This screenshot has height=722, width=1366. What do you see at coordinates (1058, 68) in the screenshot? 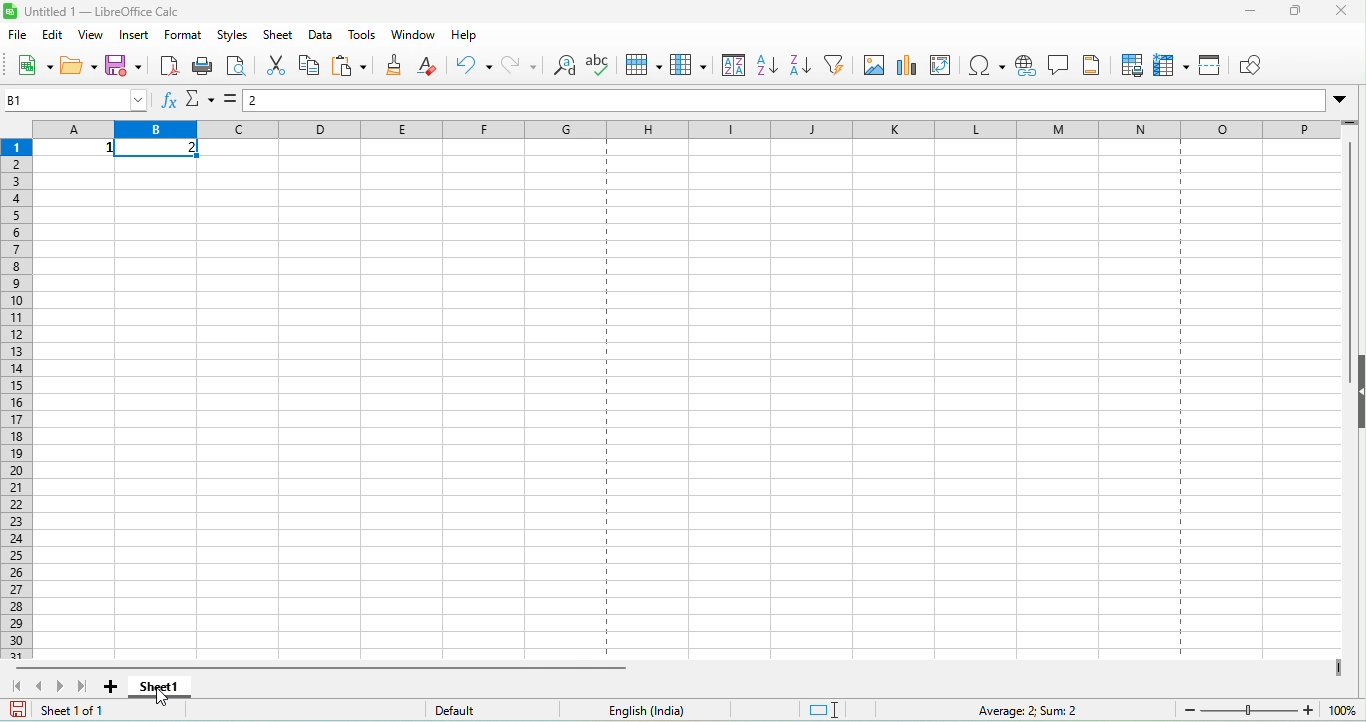
I see `insert comment` at bounding box center [1058, 68].